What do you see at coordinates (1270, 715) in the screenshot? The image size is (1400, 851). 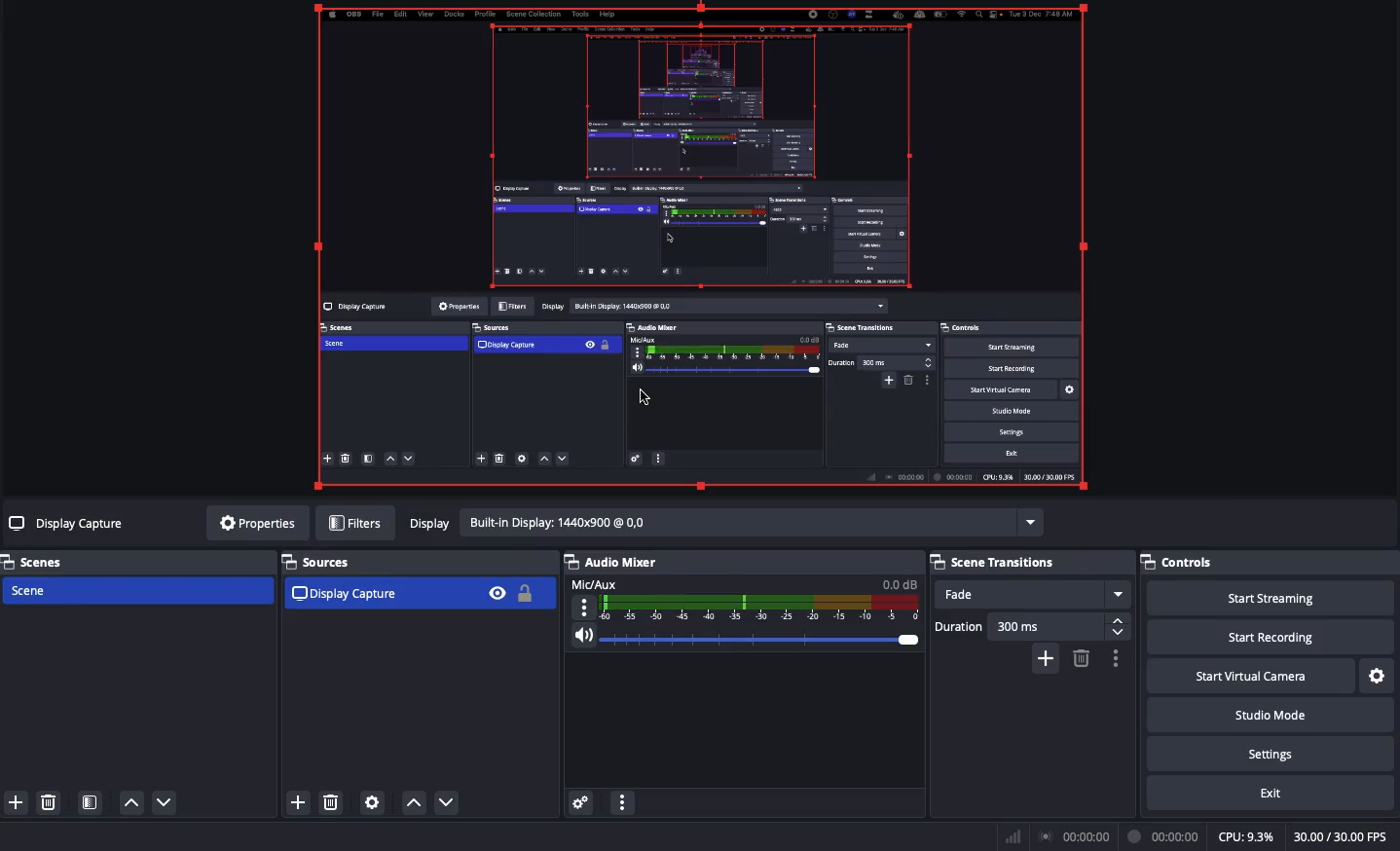 I see `Studio mode` at bounding box center [1270, 715].